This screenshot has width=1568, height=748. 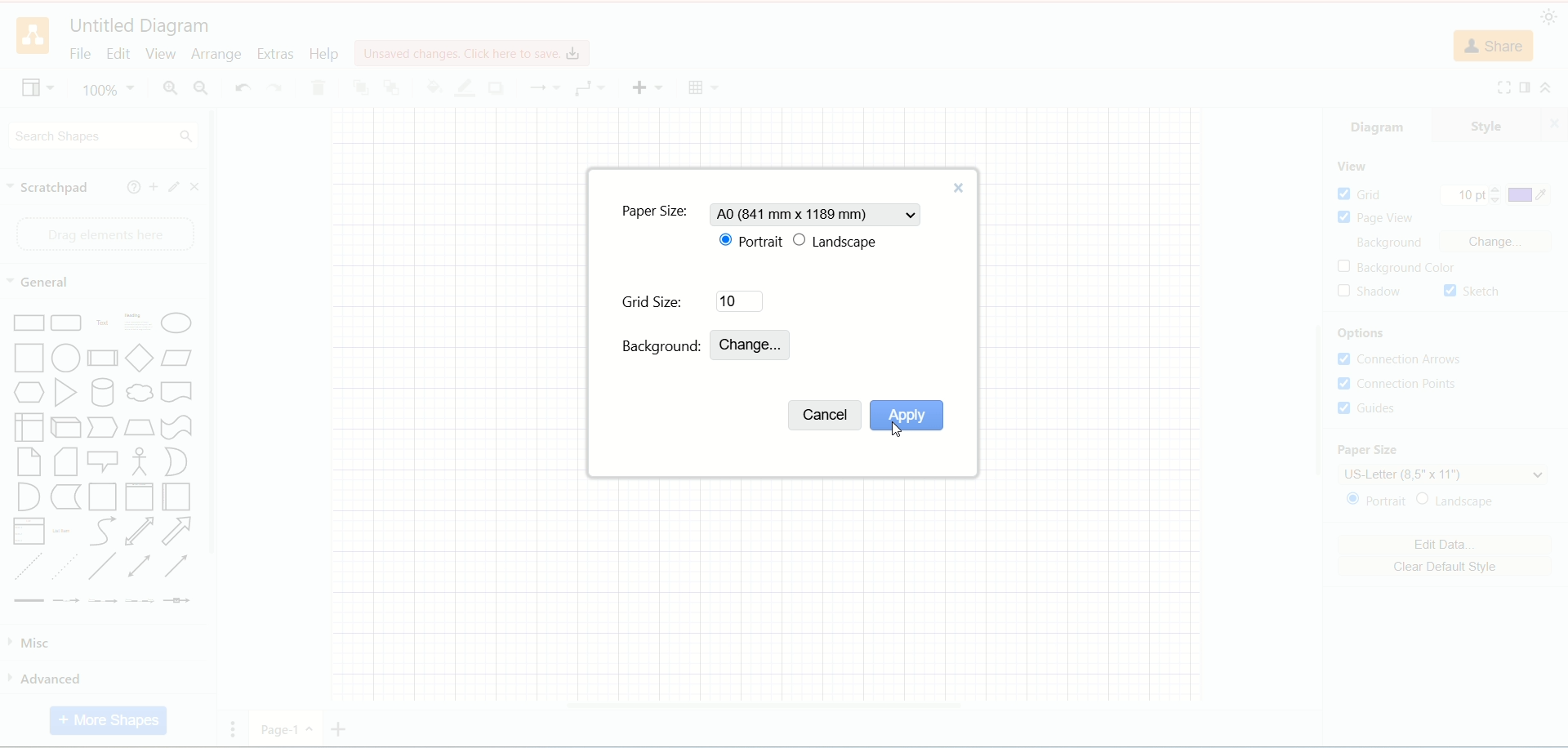 I want to click on Parallelogram, so click(x=178, y=359).